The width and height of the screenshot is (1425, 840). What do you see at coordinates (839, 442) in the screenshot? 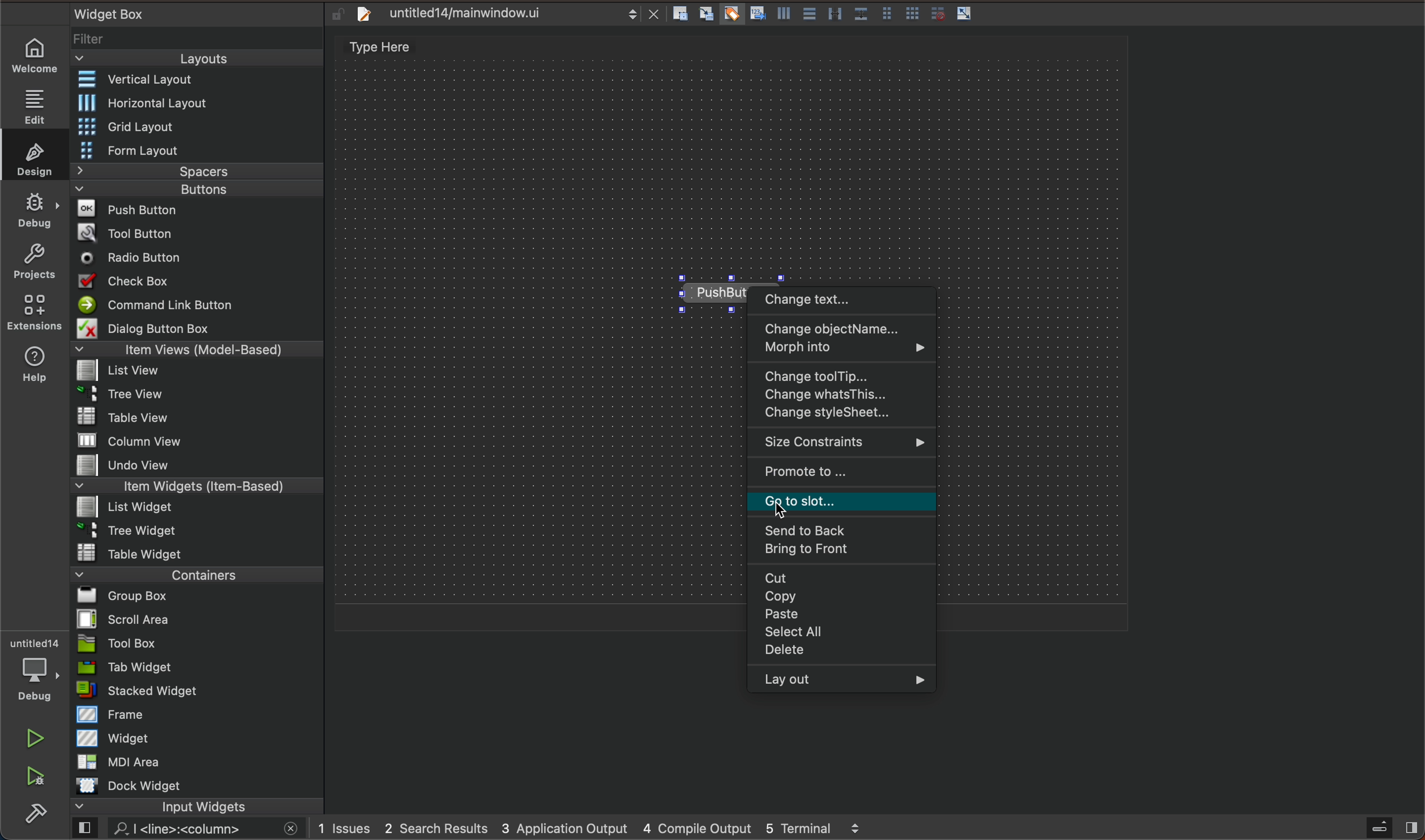
I see `size constarints` at bounding box center [839, 442].